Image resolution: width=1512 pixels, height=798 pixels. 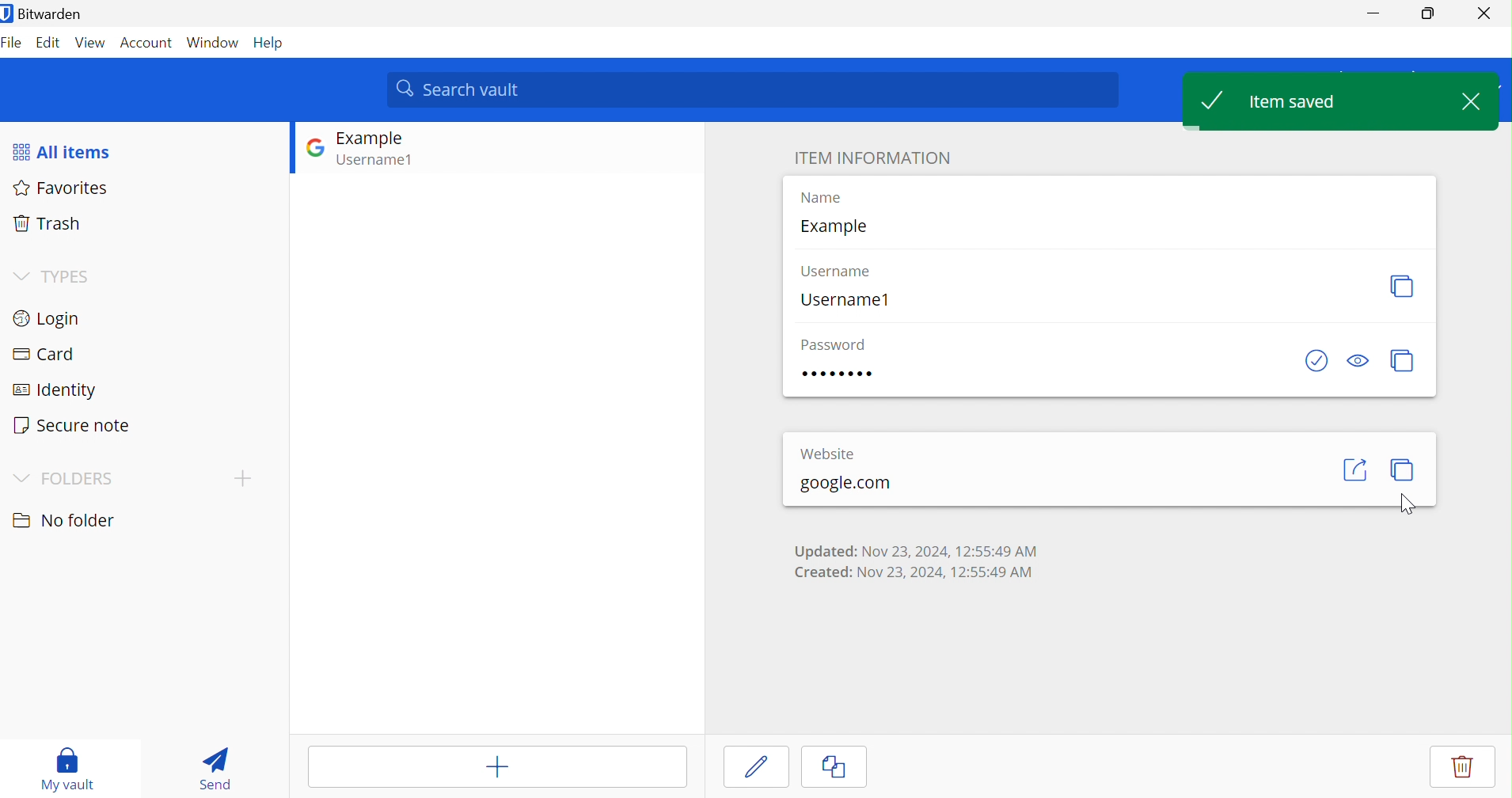 What do you see at coordinates (496, 765) in the screenshot?
I see `Add item` at bounding box center [496, 765].